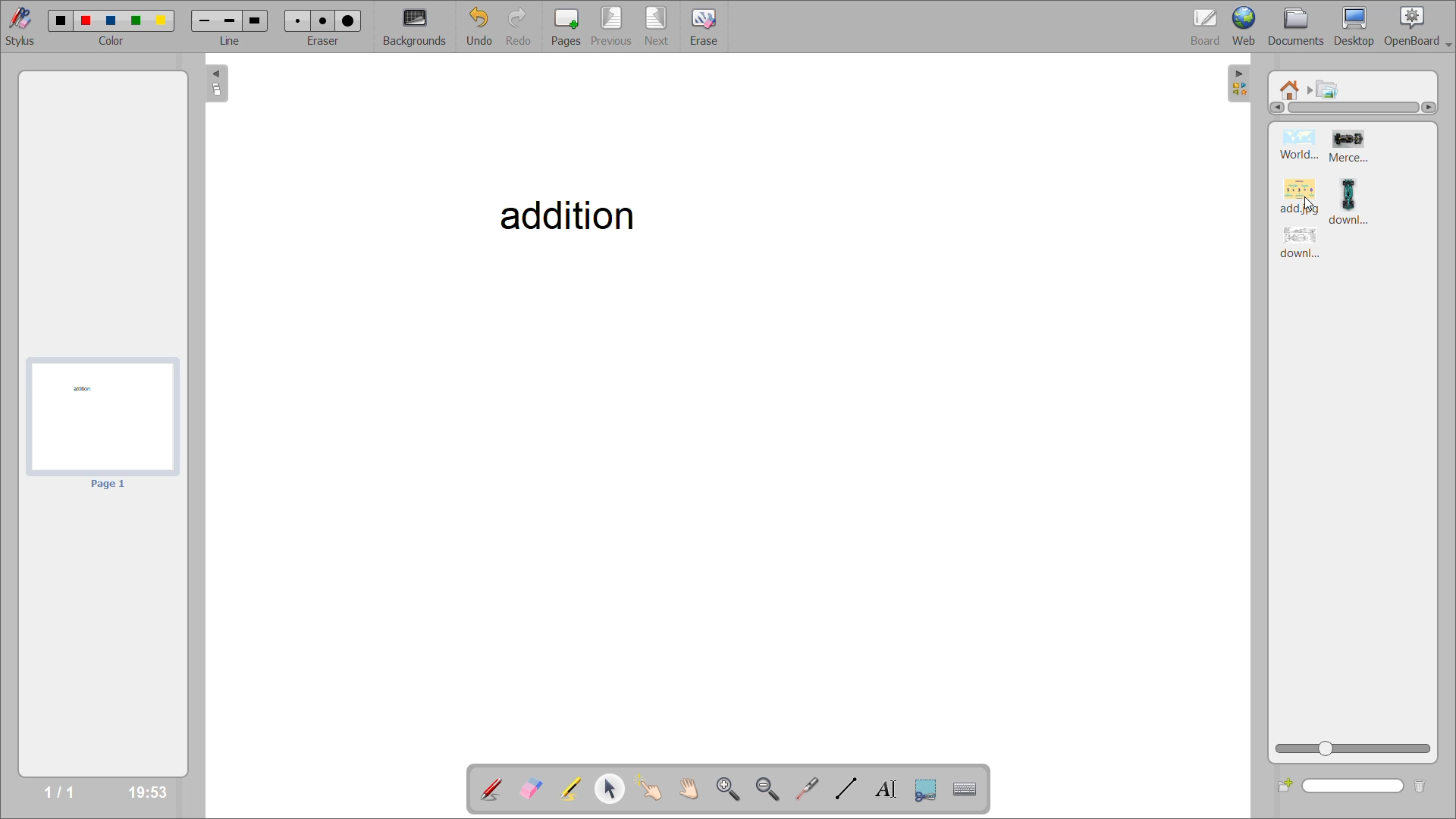 The height and width of the screenshot is (819, 1456). I want to click on web, so click(1247, 24).